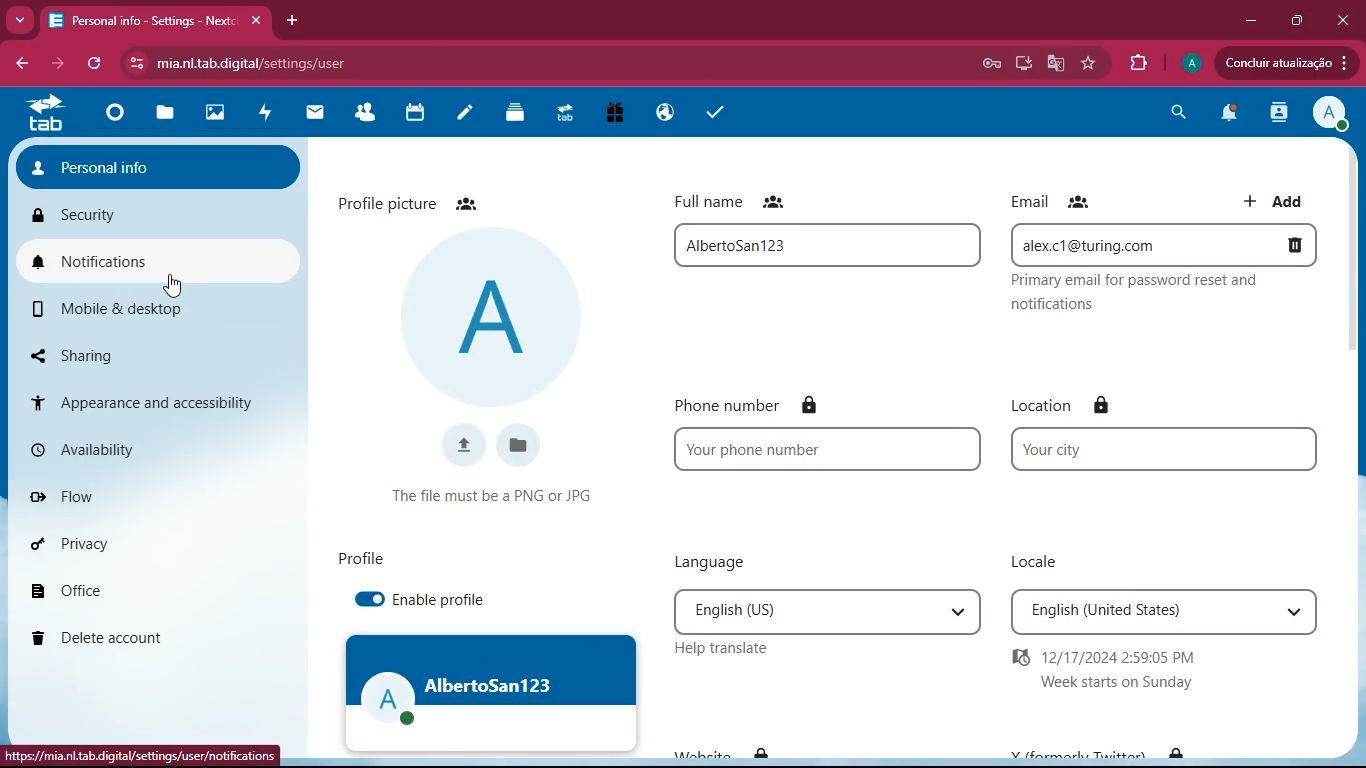 The width and height of the screenshot is (1366, 768). Describe the element at coordinates (124, 307) in the screenshot. I see `mobile & desktop` at that location.